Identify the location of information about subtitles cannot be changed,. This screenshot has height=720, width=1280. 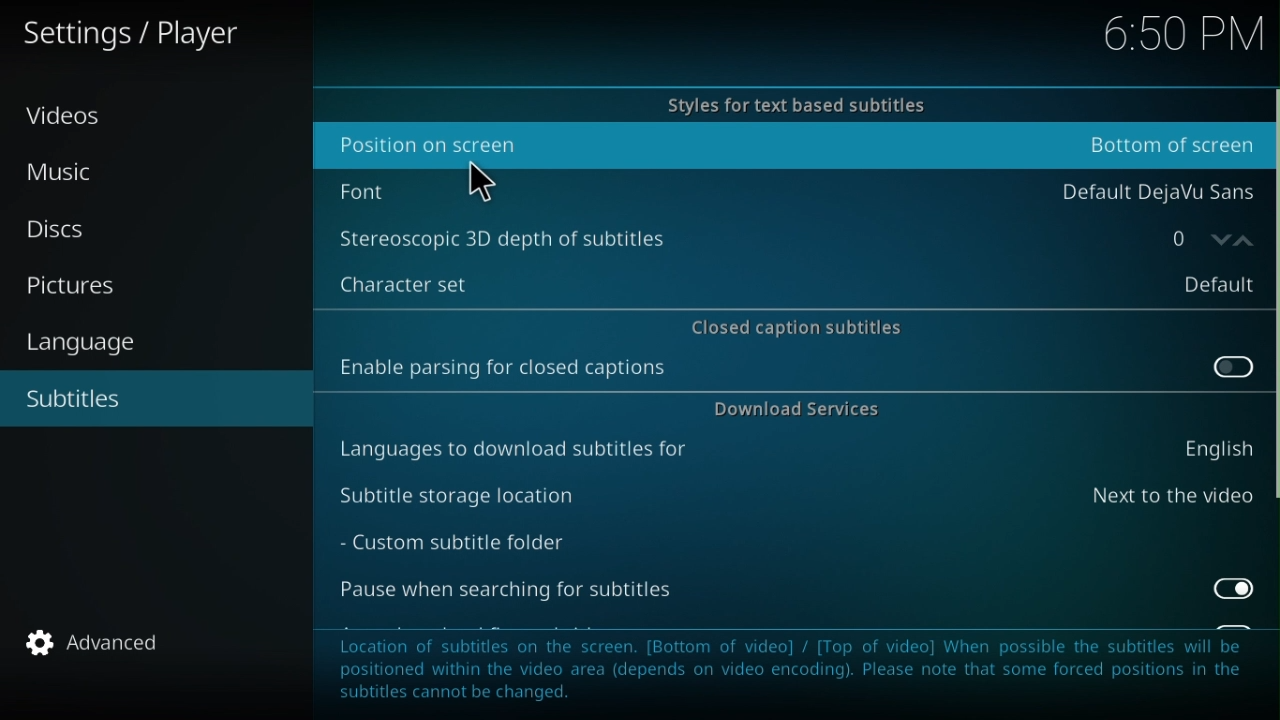
(800, 669).